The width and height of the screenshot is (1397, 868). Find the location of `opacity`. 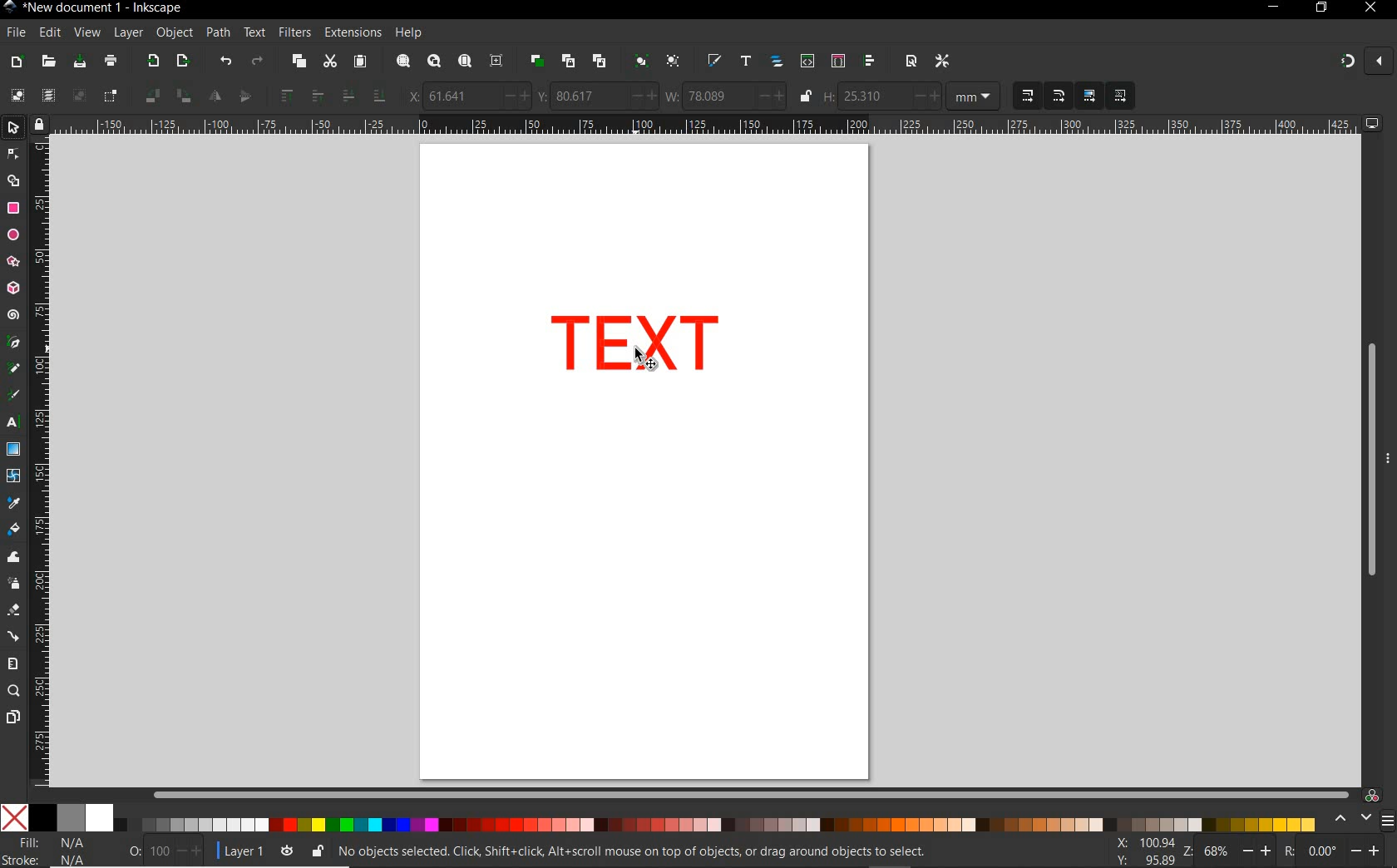

opacity is located at coordinates (153, 850).